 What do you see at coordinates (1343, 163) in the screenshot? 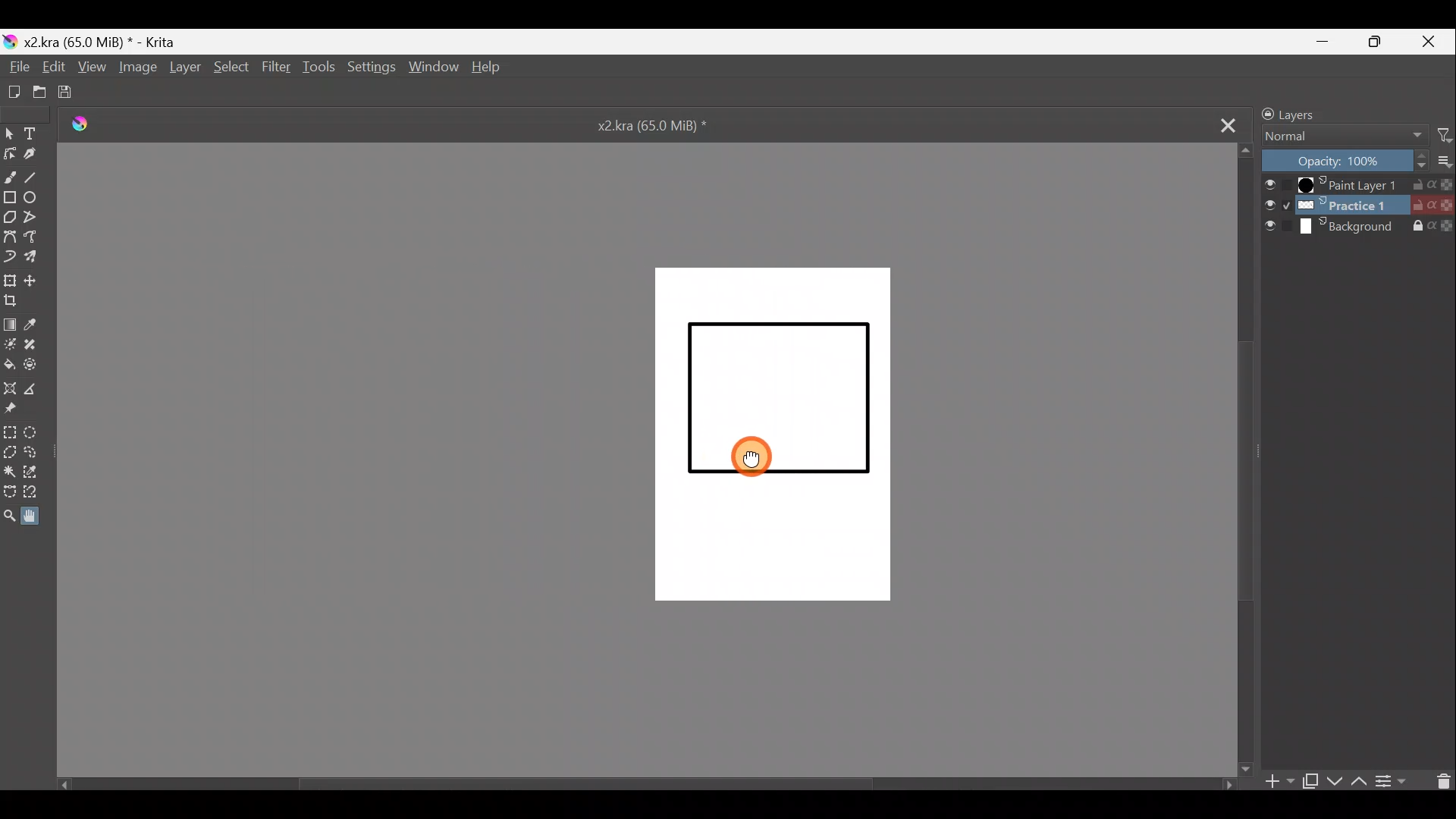
I see `Layer Opacity` at bounding box center [1343, 163].